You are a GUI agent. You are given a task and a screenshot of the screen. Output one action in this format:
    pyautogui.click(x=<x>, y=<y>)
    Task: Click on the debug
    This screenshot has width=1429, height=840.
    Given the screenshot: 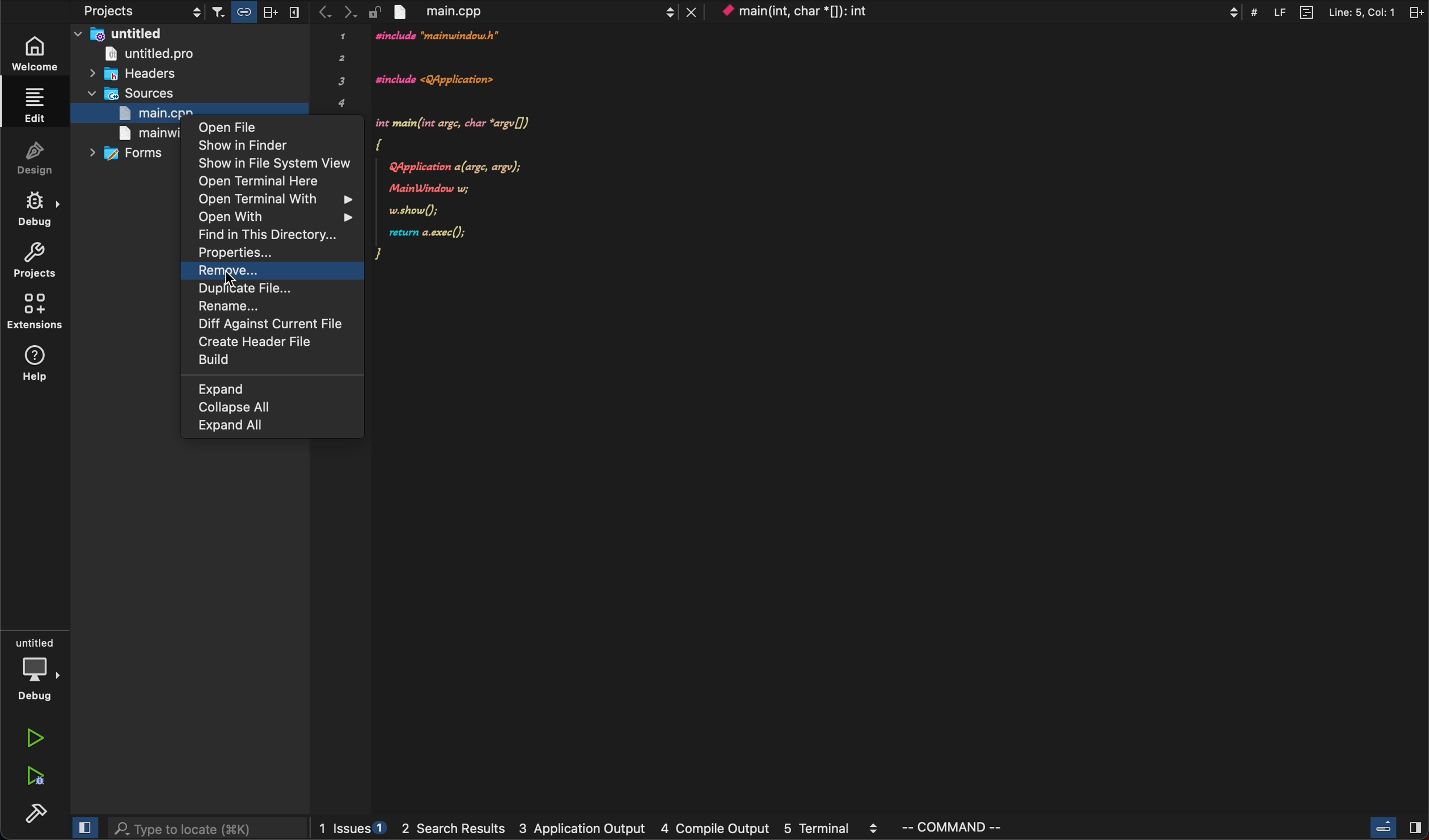 What is the action you would take?
    pyautogui.click(x=38, y=209)
    